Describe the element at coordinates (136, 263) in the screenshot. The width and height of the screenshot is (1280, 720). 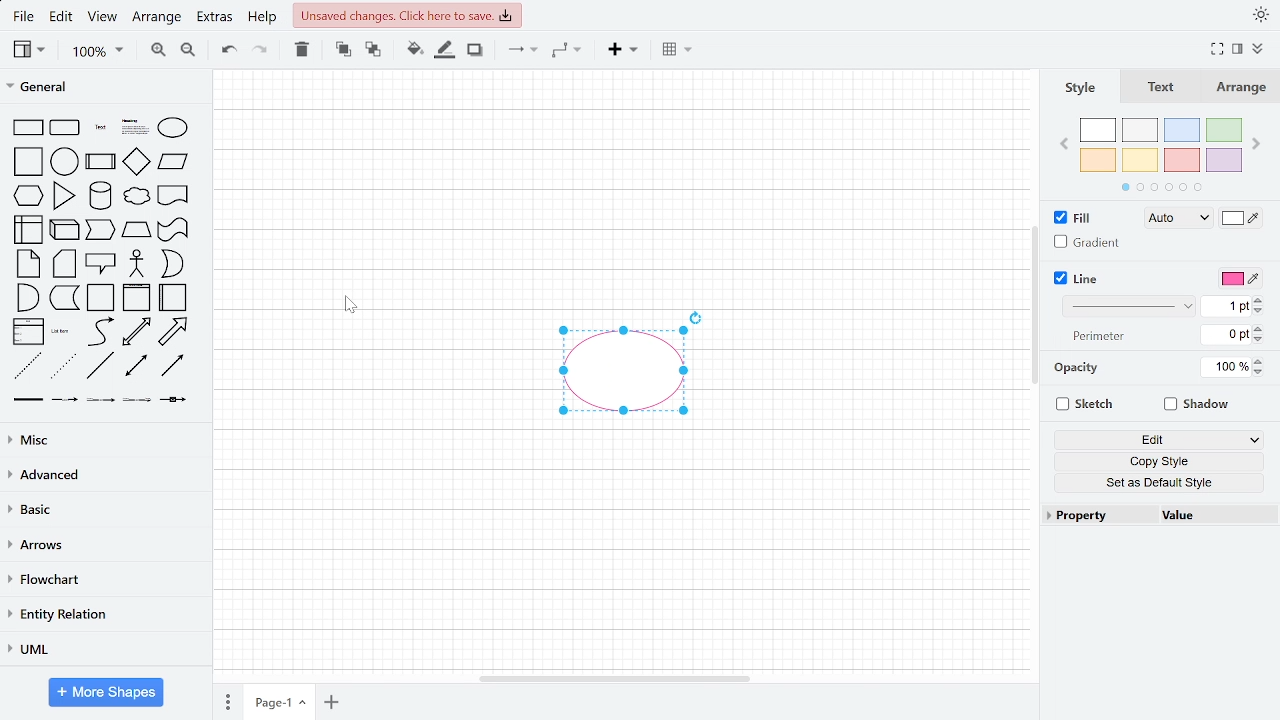
I see `actor` at that location.